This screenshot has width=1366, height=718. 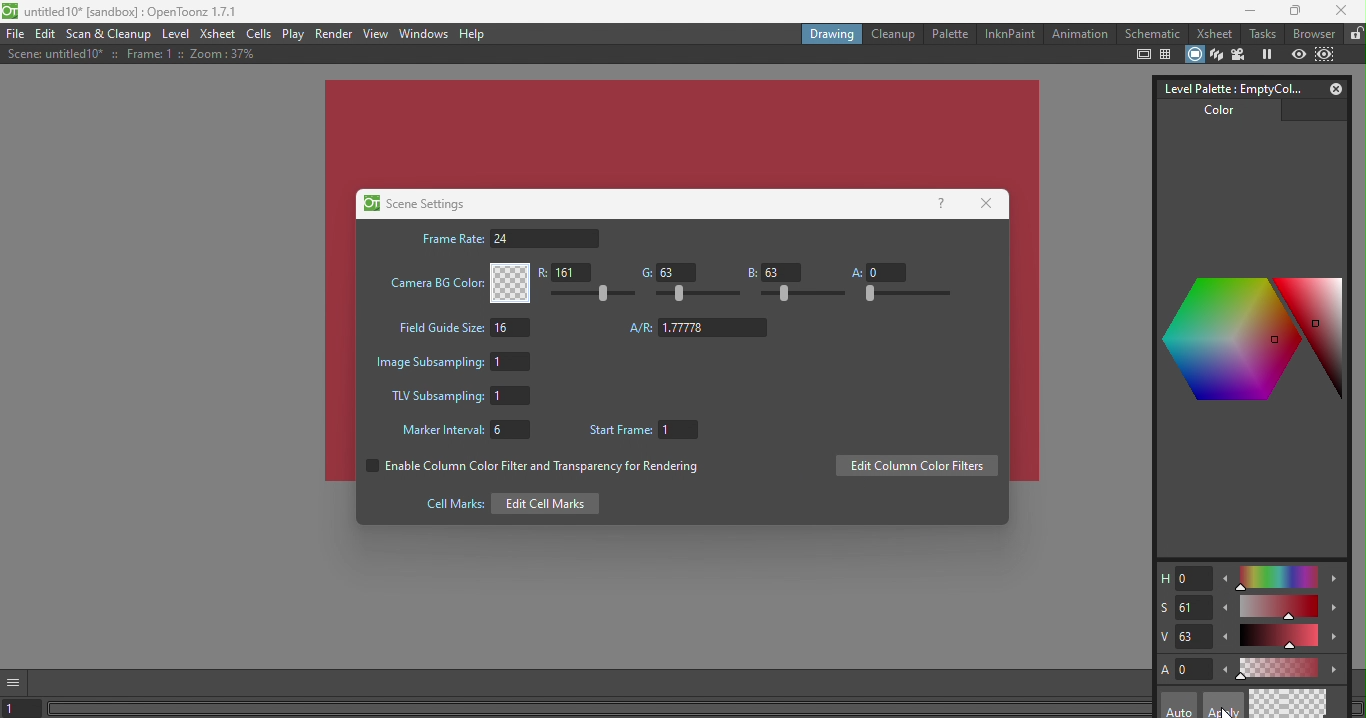 What do you see at coordinates (1280, 608) in the screenshot?
I see `Slide bar` at bounding box center [1280, 608].